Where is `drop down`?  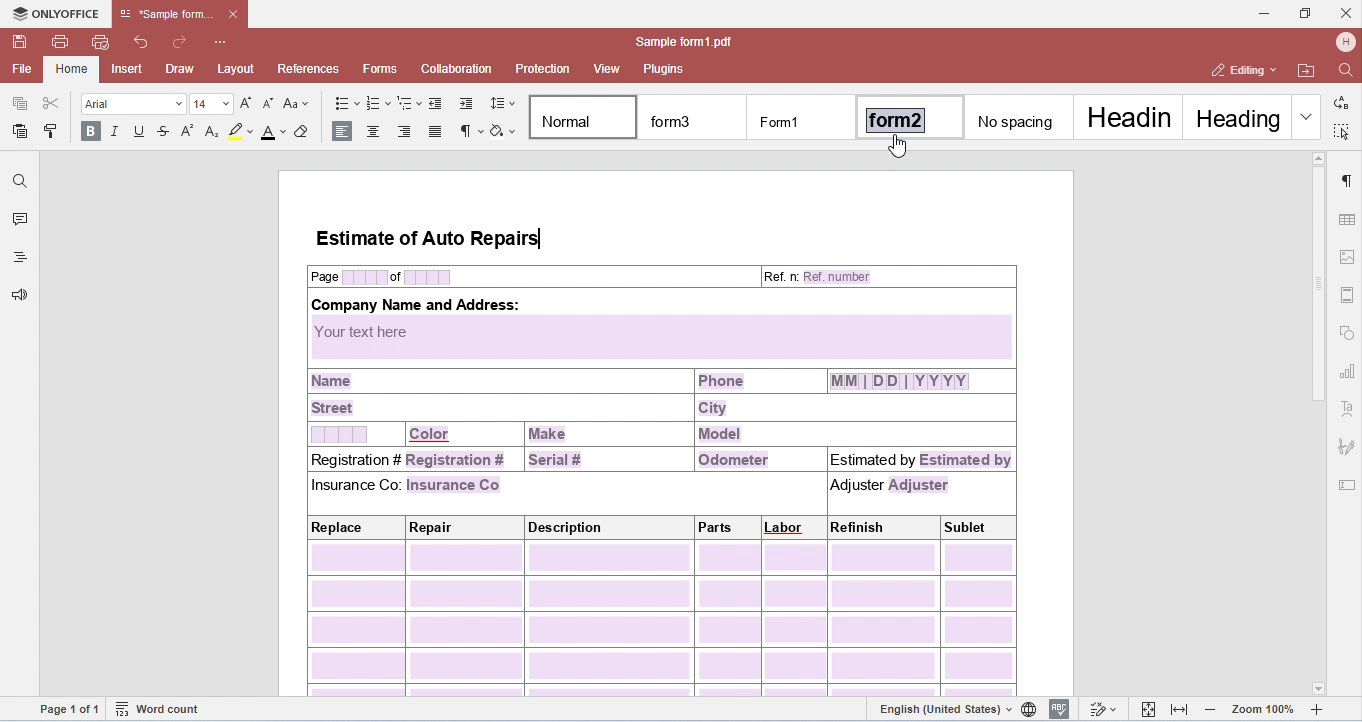 drop down is located at coordinates (1306, 116).